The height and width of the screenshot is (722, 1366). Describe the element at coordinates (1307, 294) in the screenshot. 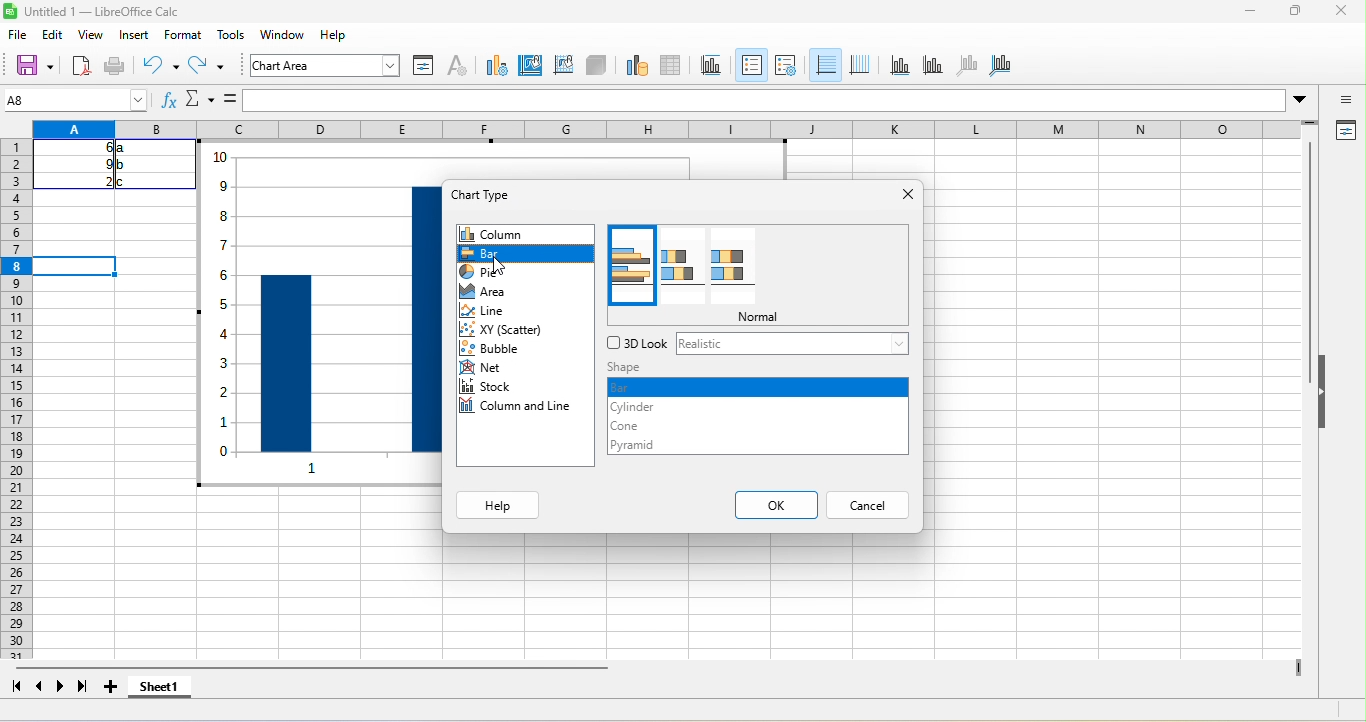

I see `vertical scroll bar` at that location.